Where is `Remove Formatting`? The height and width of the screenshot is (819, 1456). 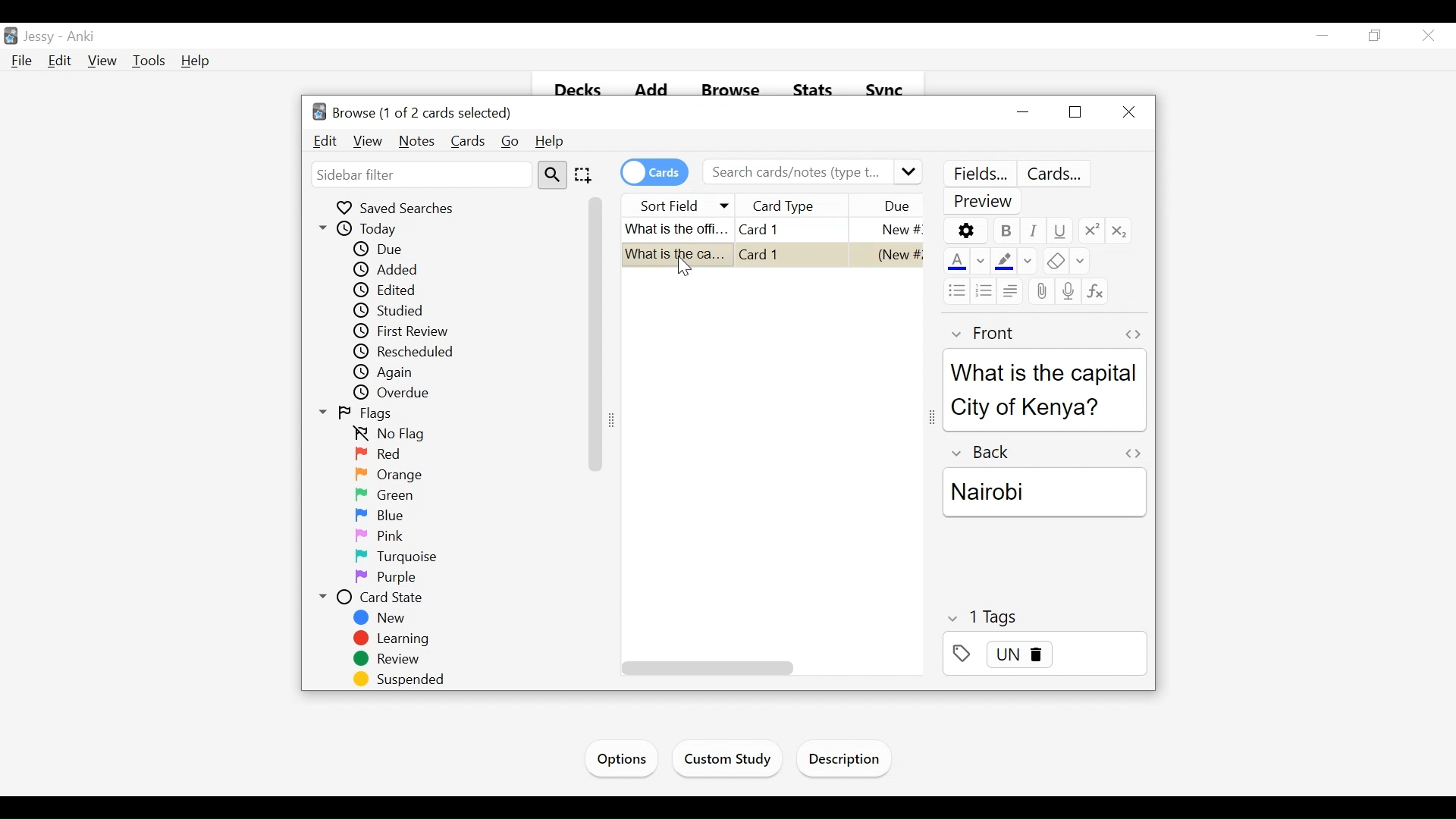
Remove Formatting is located at coordinates (1053, 262).